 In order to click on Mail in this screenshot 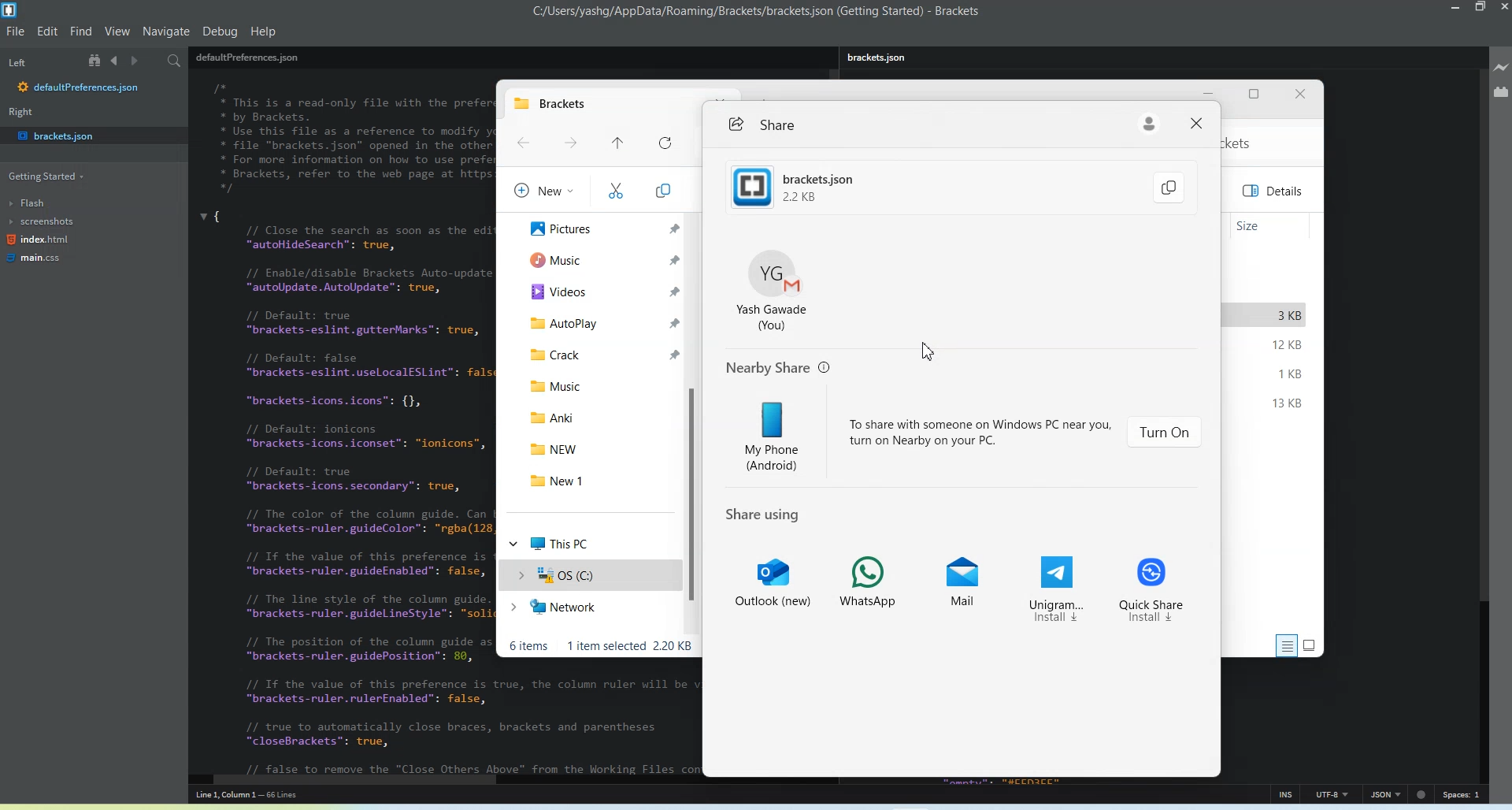, I will do `click(959, 577)`.